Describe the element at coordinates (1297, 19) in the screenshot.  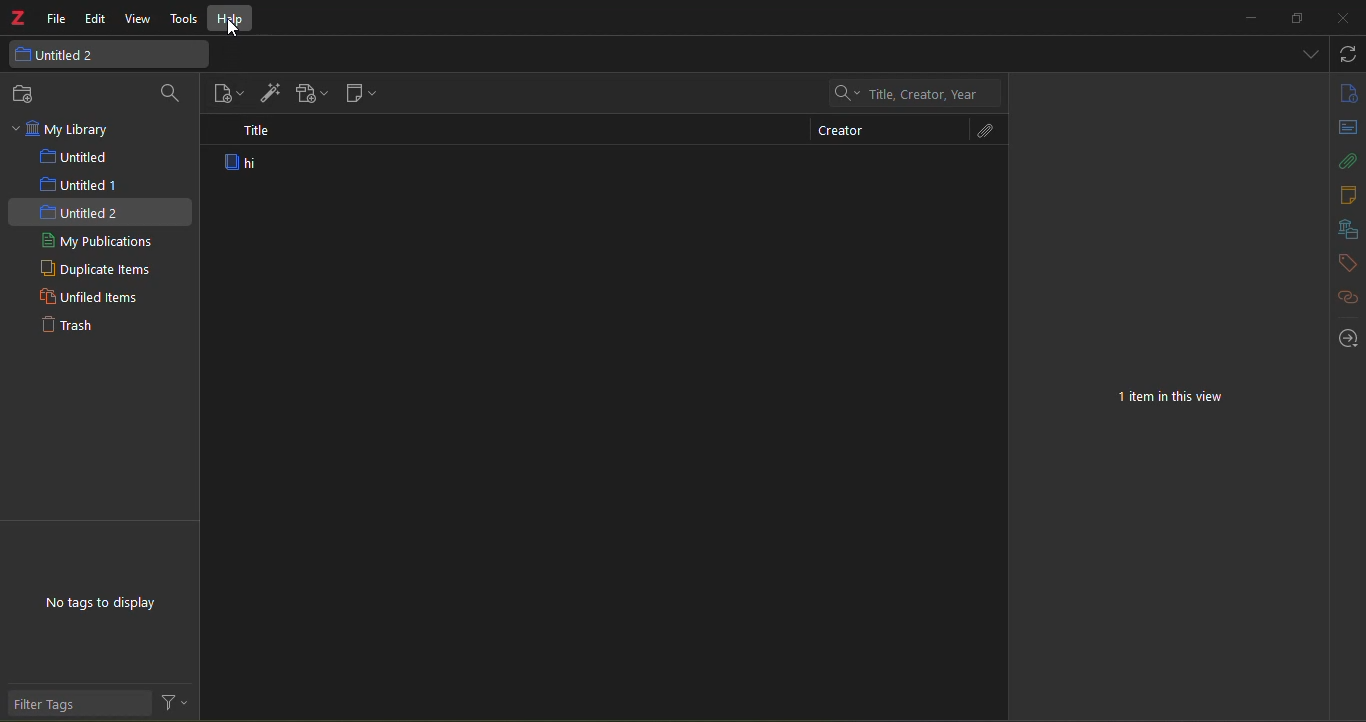
I see `resize` at that location.